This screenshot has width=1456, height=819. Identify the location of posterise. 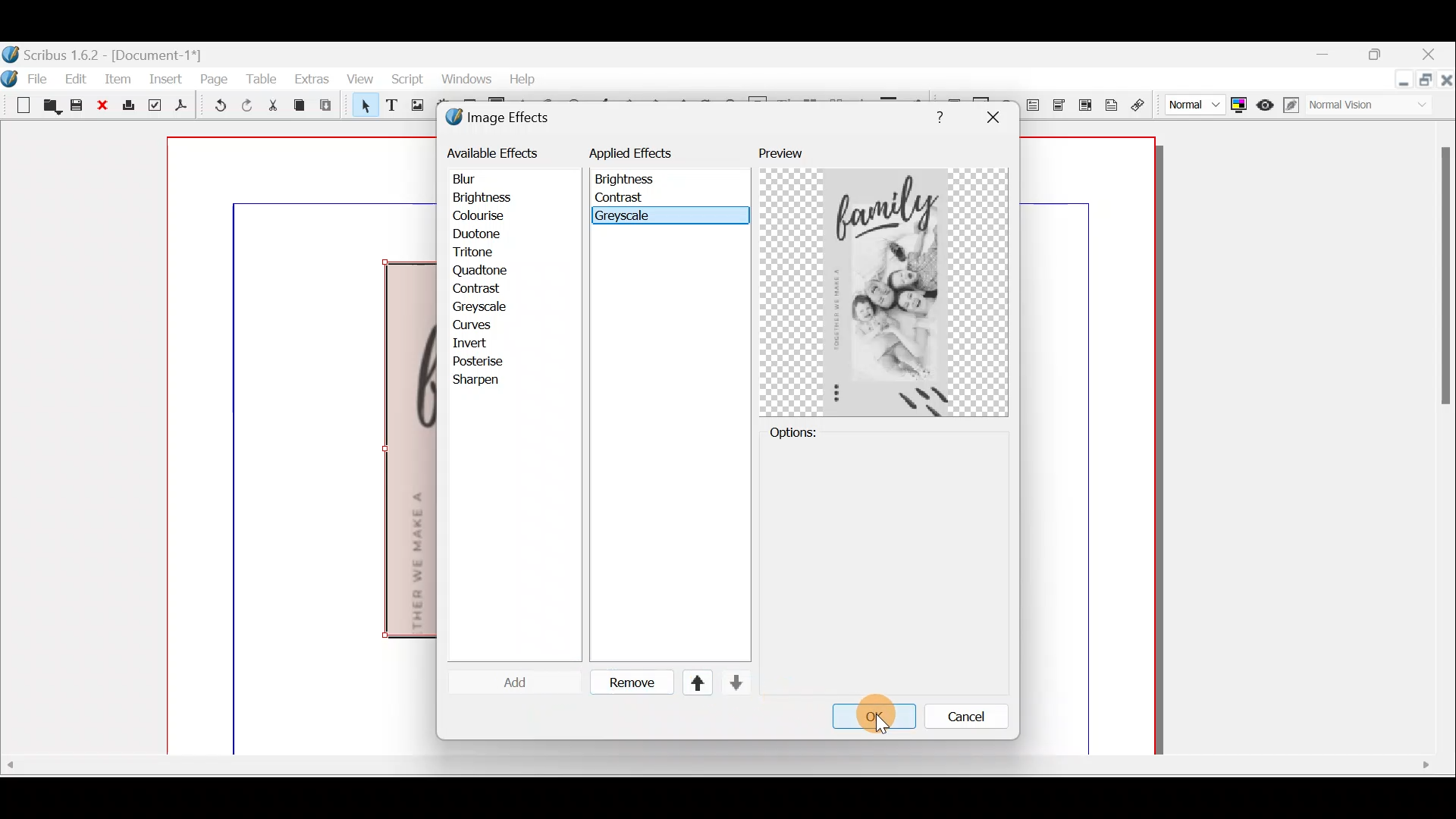
(482, 362).